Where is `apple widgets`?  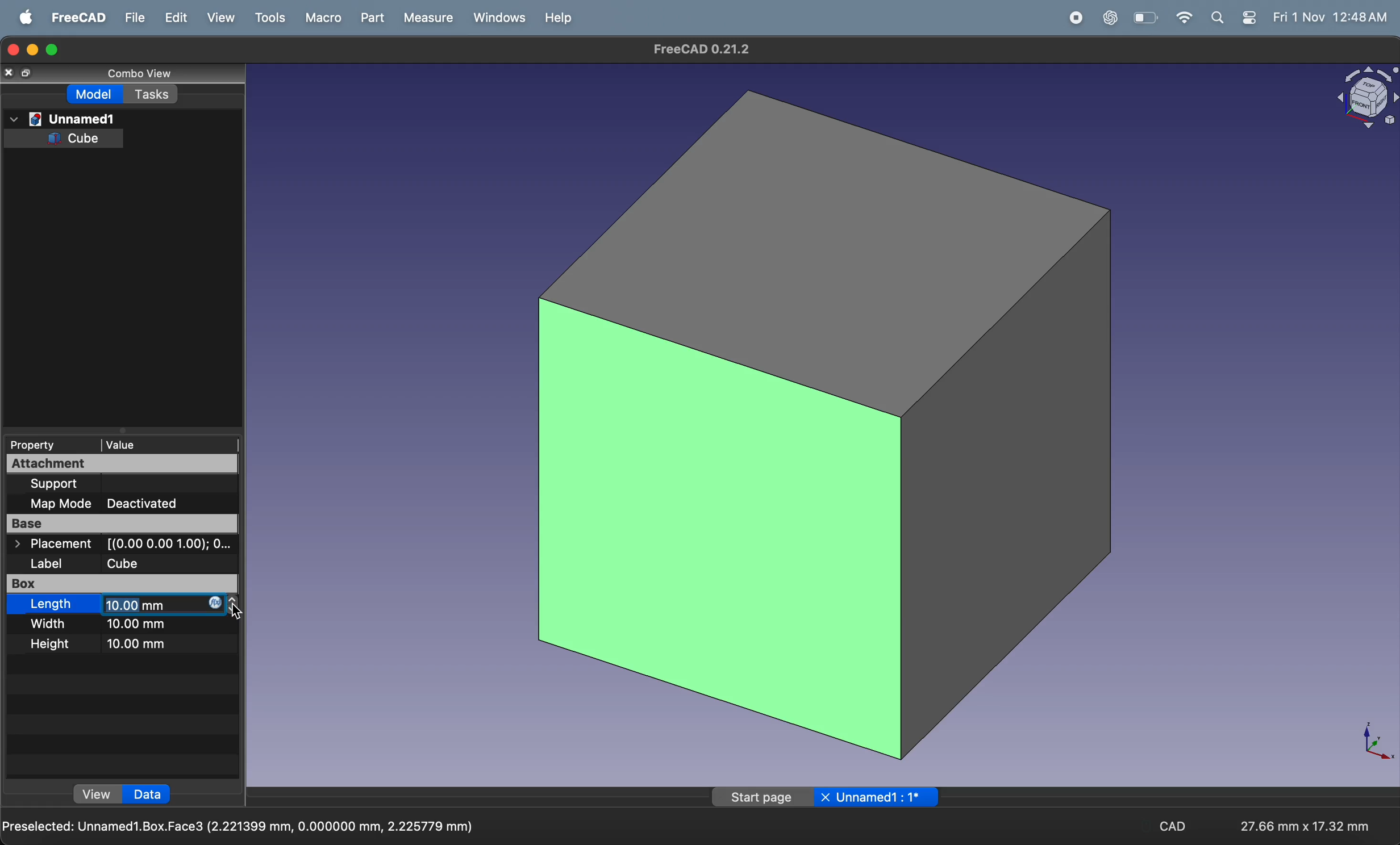
apple widgets is located at coordinates (1235, 19).